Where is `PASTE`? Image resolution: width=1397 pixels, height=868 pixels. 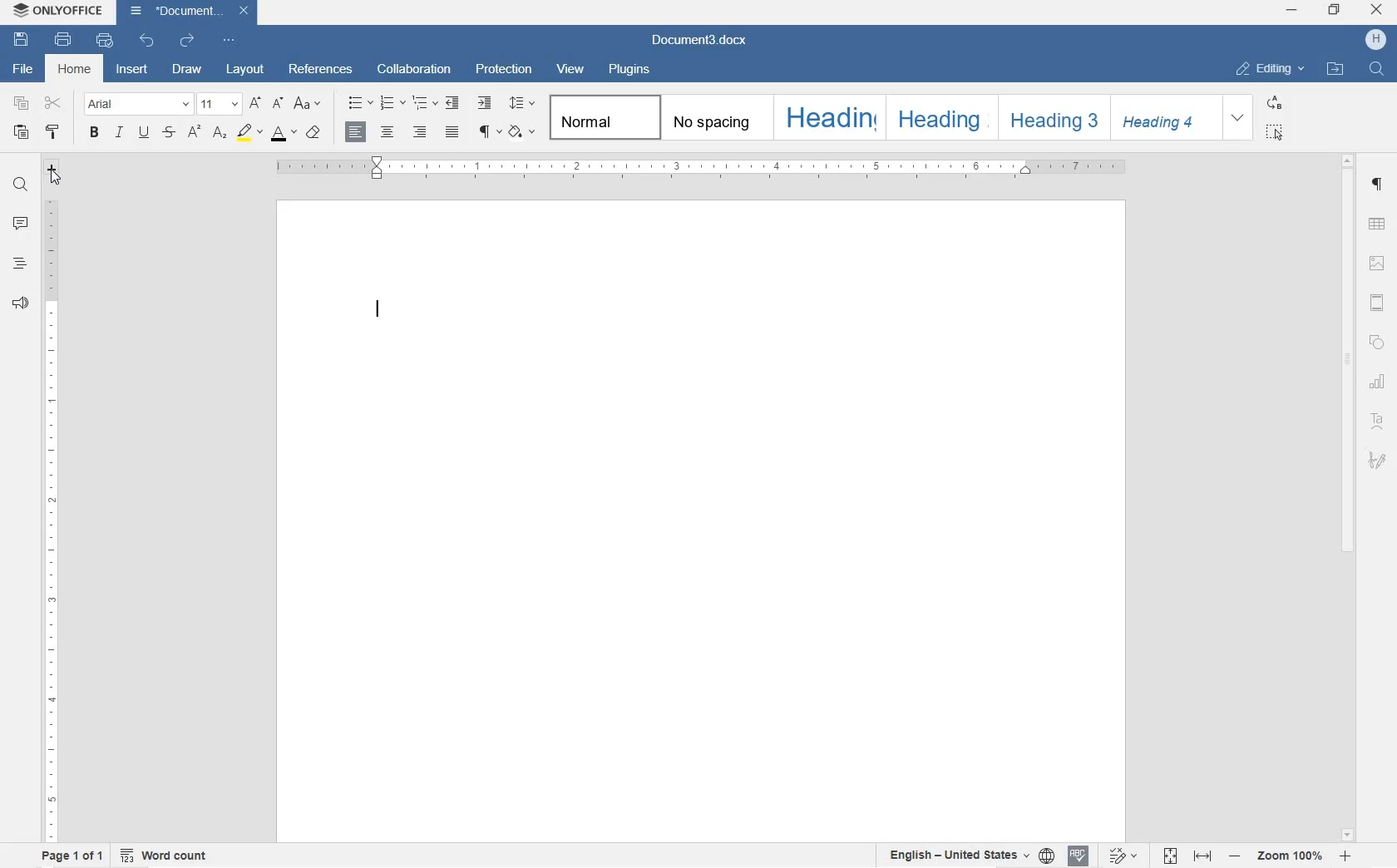 PASTE is located at coordinates (19, 133).